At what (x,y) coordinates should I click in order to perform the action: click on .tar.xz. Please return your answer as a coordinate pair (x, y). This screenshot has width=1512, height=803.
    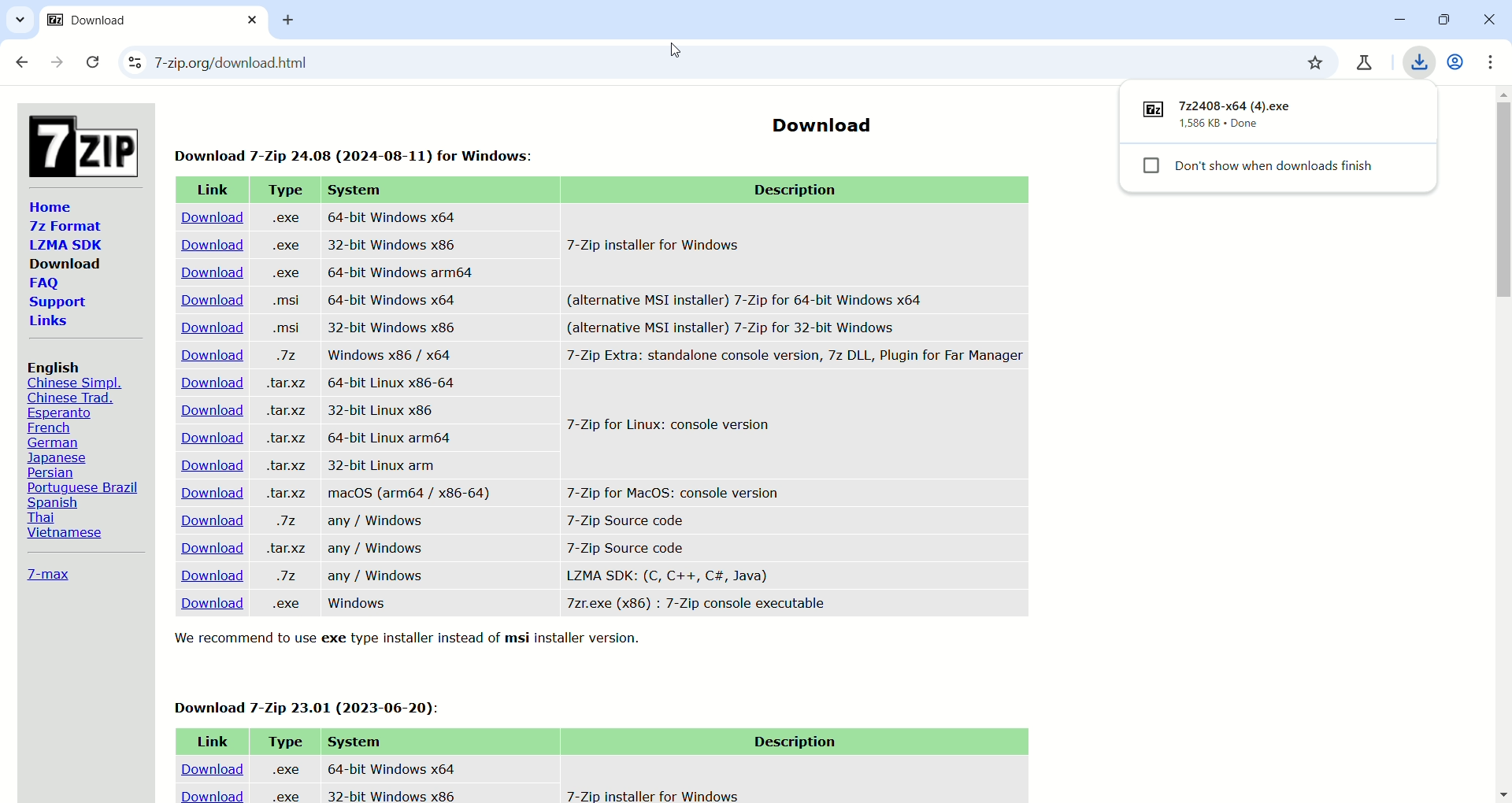
    Looking at the image, I should click on (283, 465).